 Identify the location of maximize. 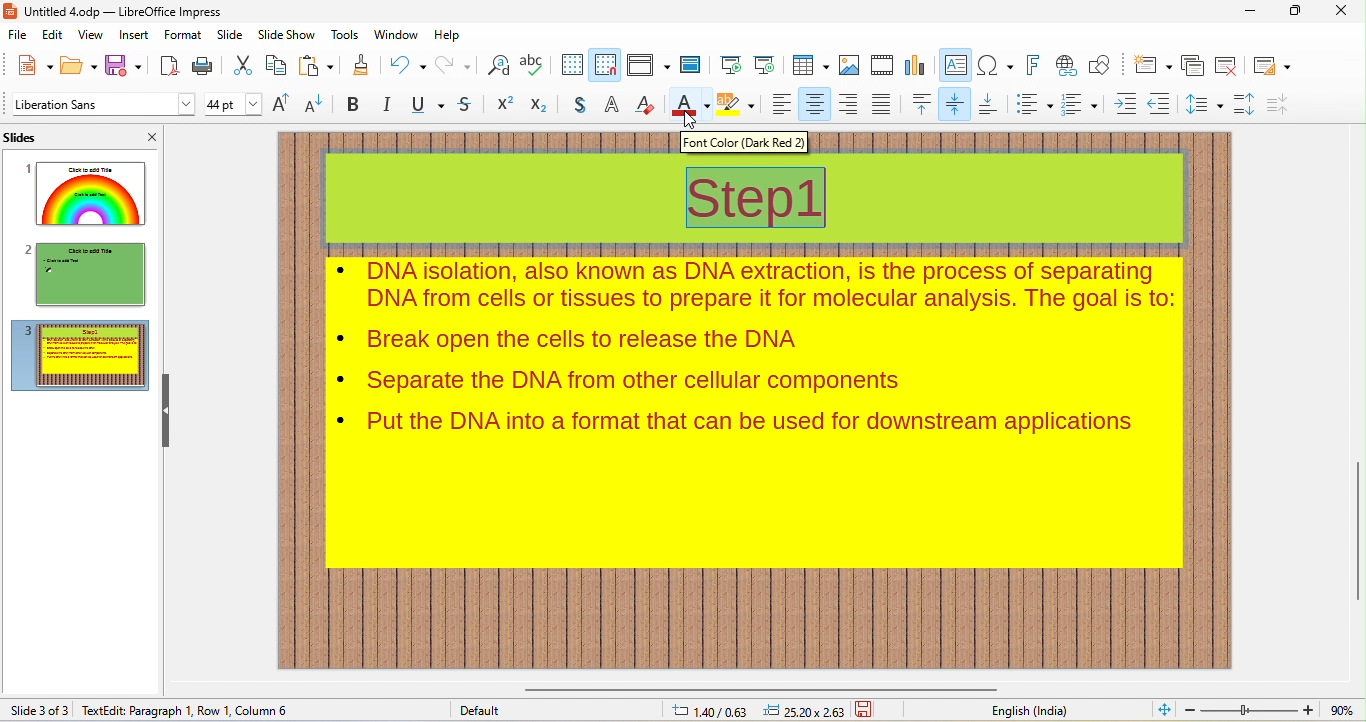
(1298, 10).